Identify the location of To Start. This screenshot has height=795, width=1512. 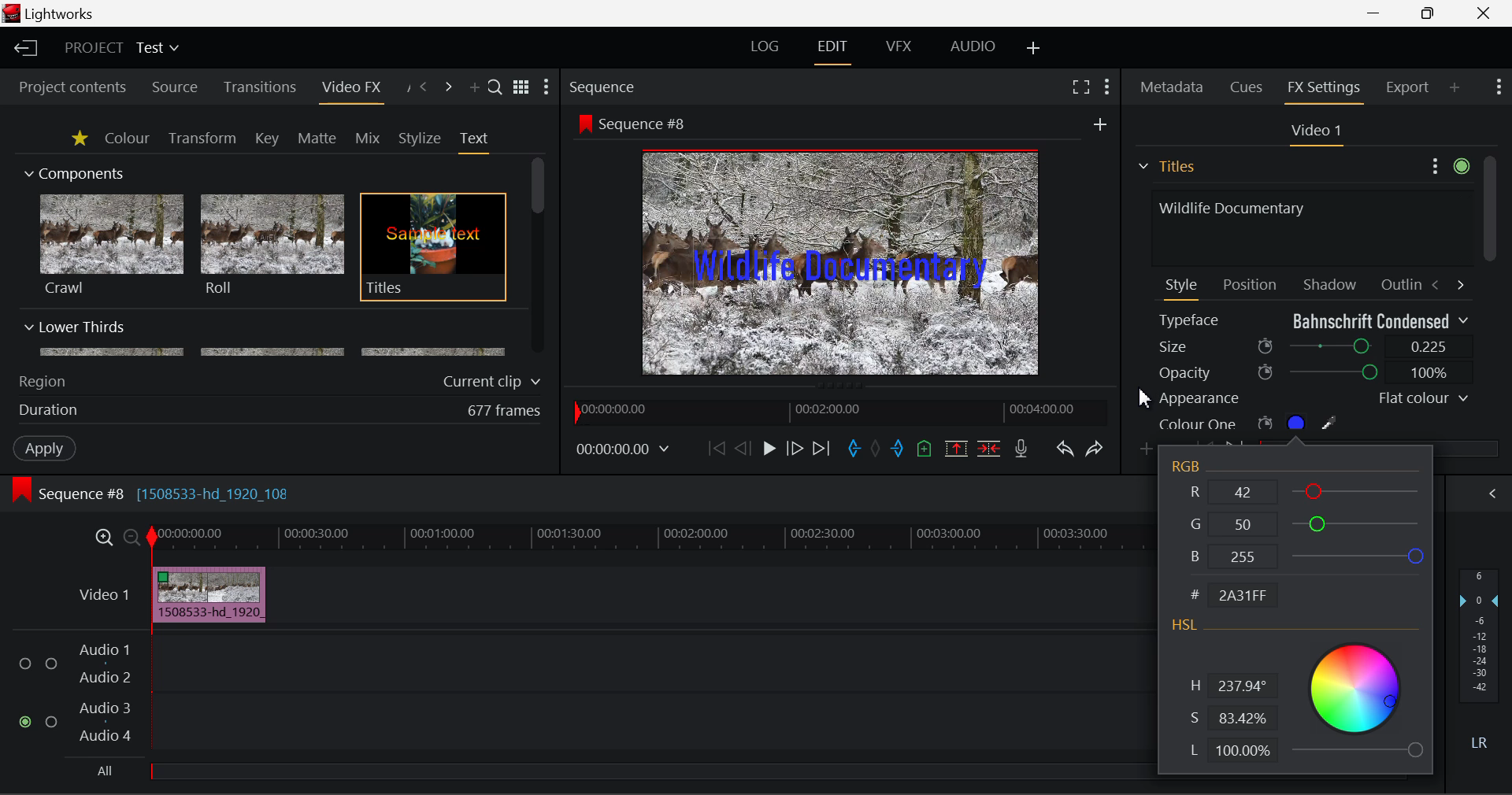
(717, 449).